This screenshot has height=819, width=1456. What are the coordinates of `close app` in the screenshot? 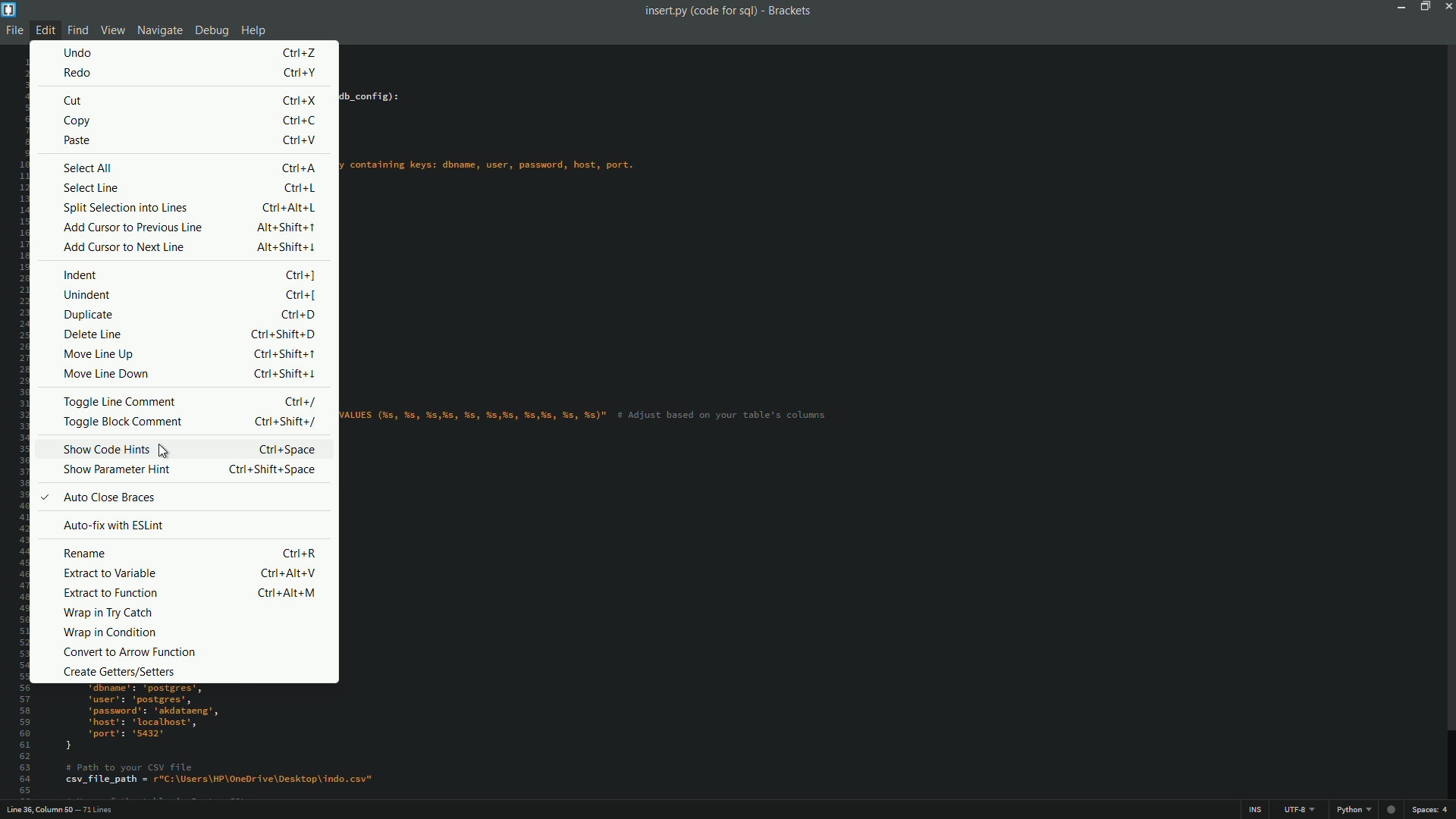 It's located at (1447, 6).